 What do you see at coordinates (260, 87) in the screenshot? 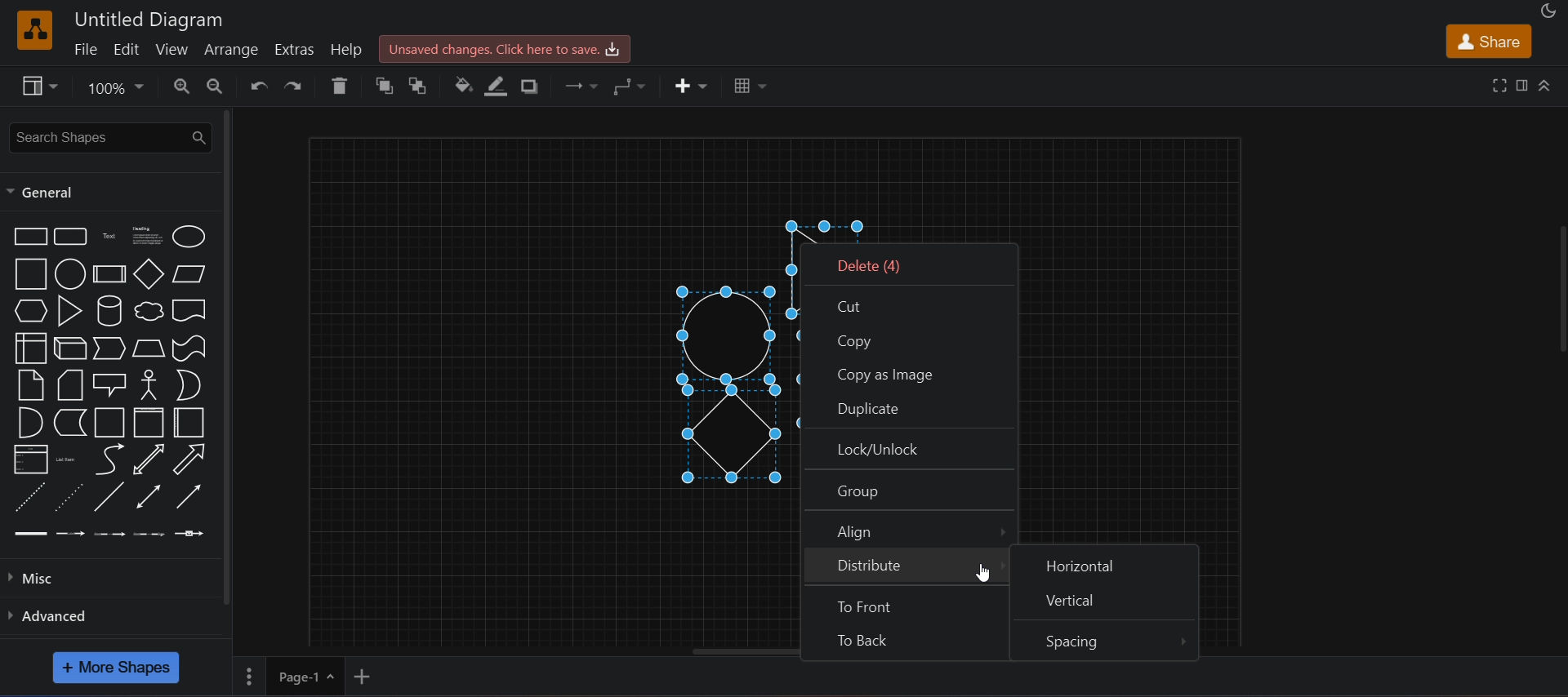
I see `undo` at bounding box center [260, 87].